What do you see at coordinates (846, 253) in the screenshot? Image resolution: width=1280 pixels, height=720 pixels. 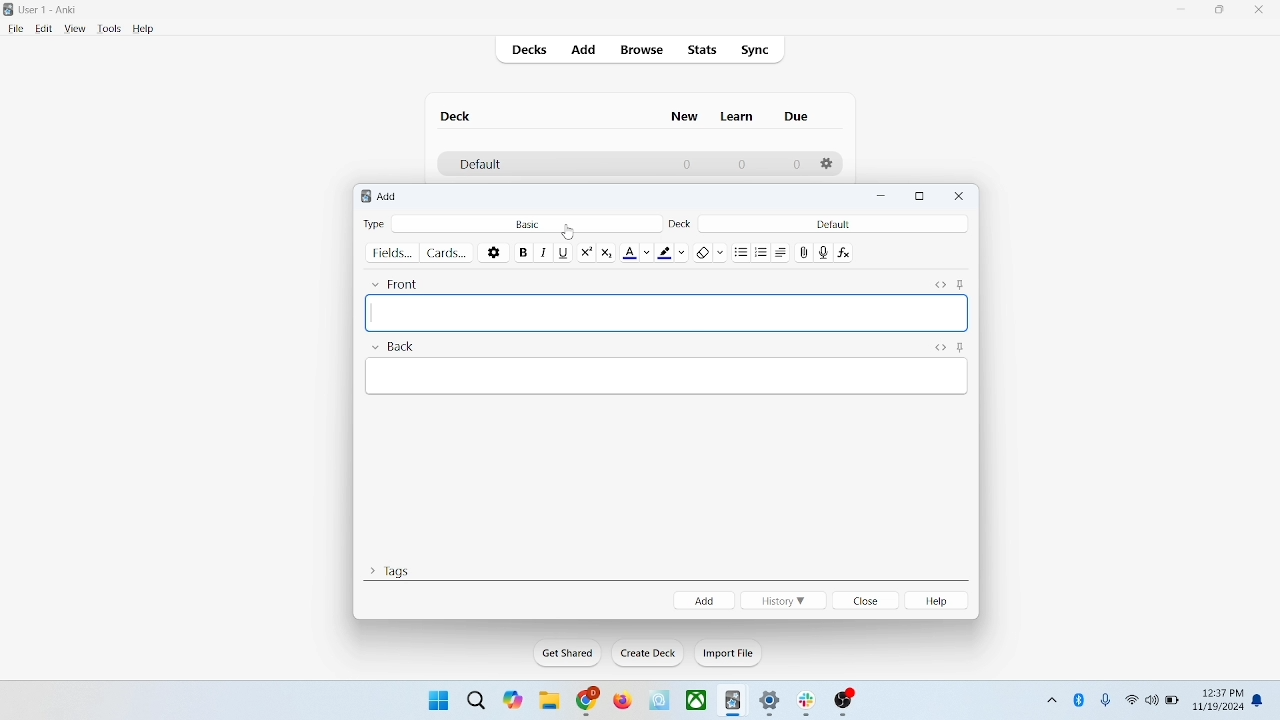 I see `function` at bounding box center [846, 253].